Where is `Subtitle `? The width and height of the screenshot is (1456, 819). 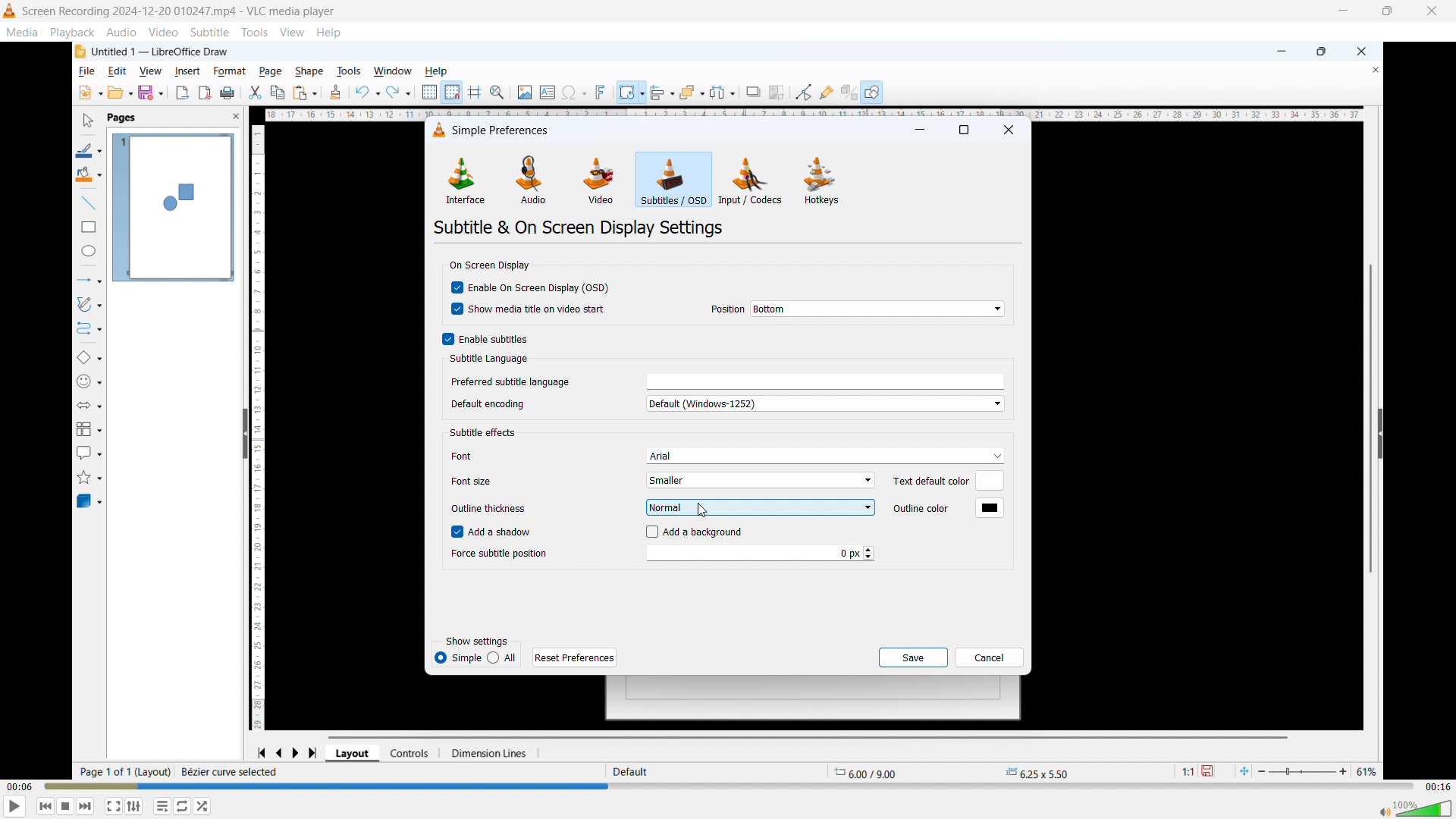 Subtitle  is located at coordinates (209, 32).